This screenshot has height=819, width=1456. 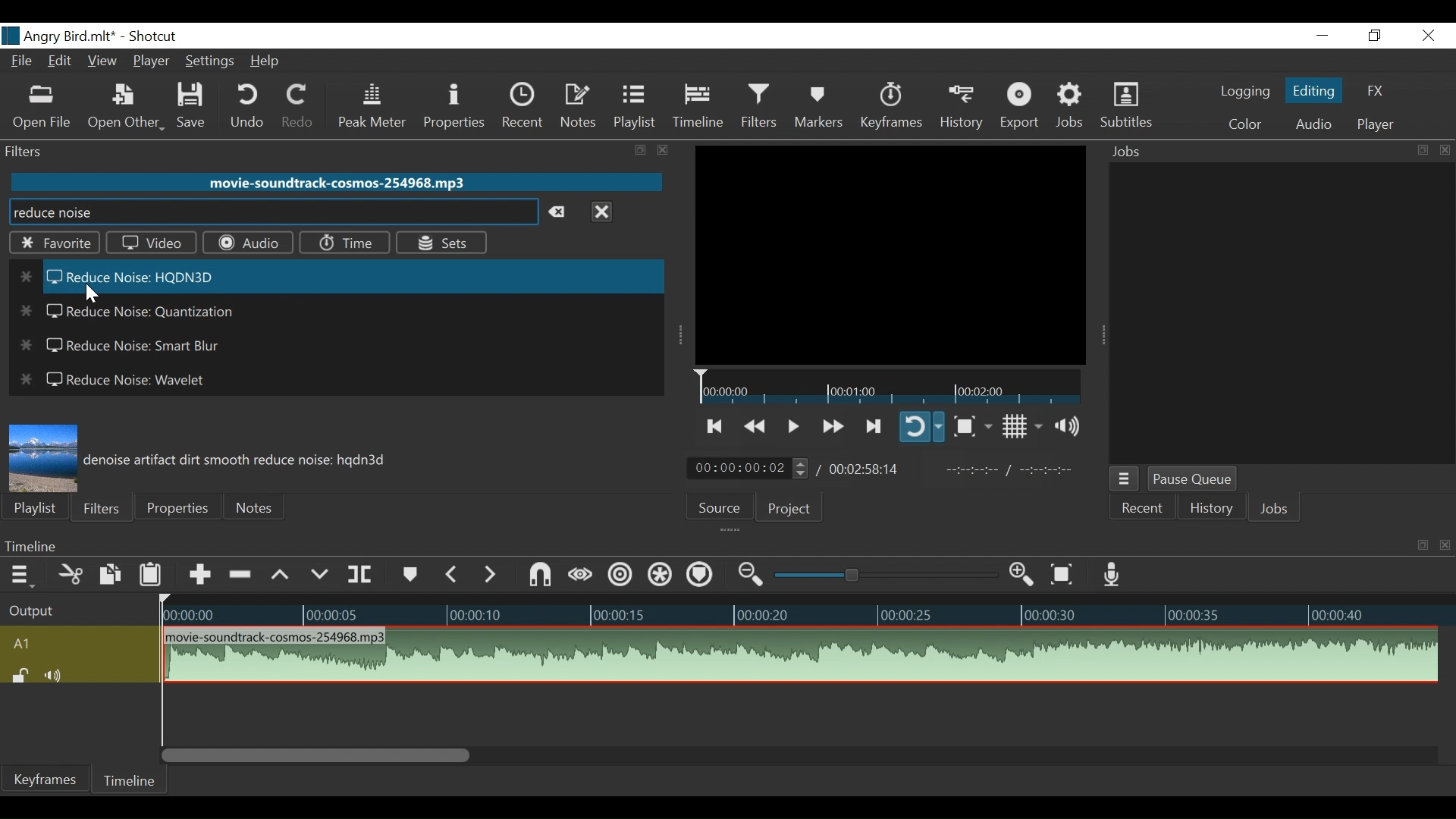 What do you see at coordinates (409, 573) in the screenshot?
I see `Markers` at bounding box center [409, 573].